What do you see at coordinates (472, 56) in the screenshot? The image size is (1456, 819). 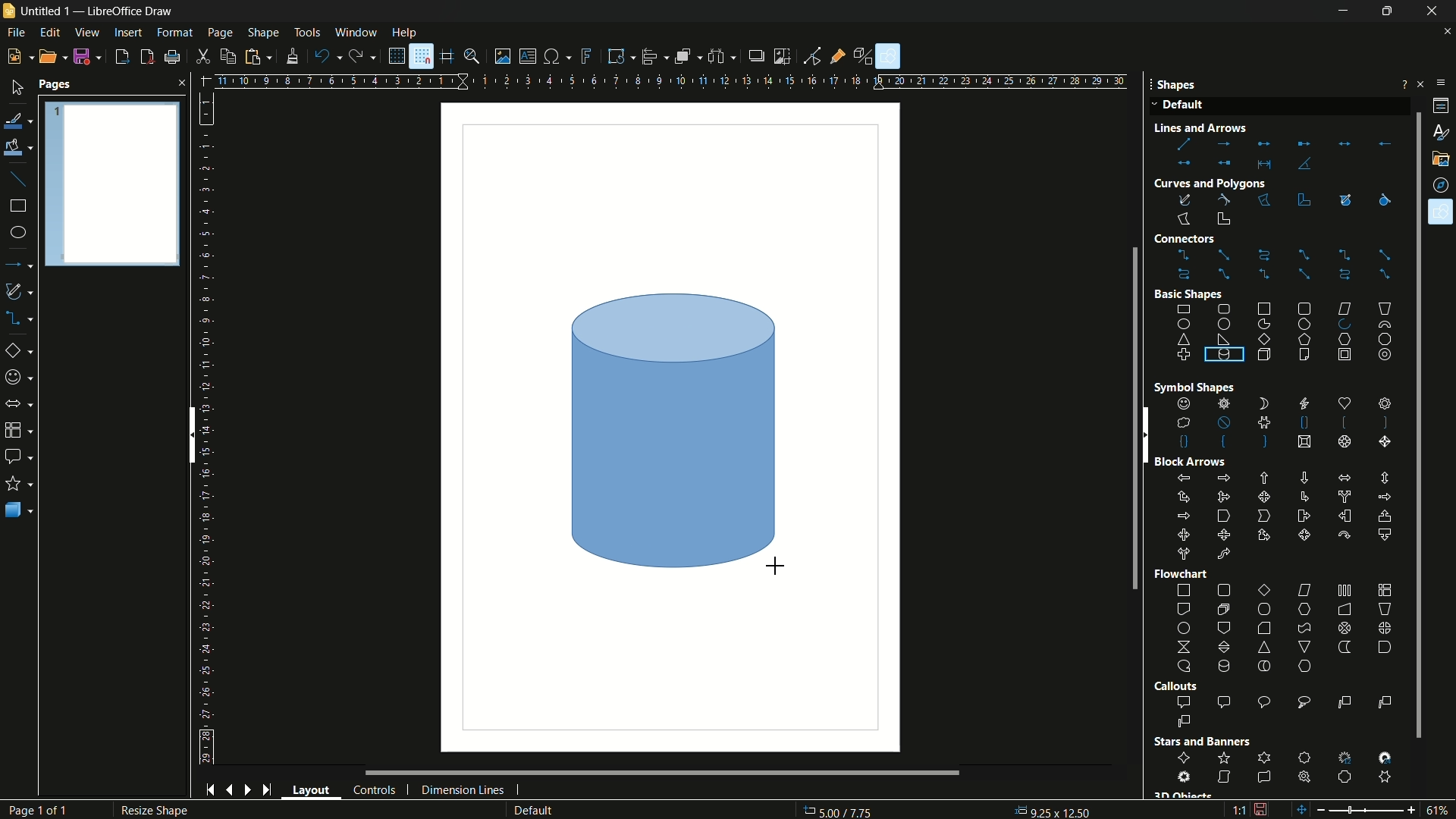 I see `zoom and pan` at bounding box center [472, 56].